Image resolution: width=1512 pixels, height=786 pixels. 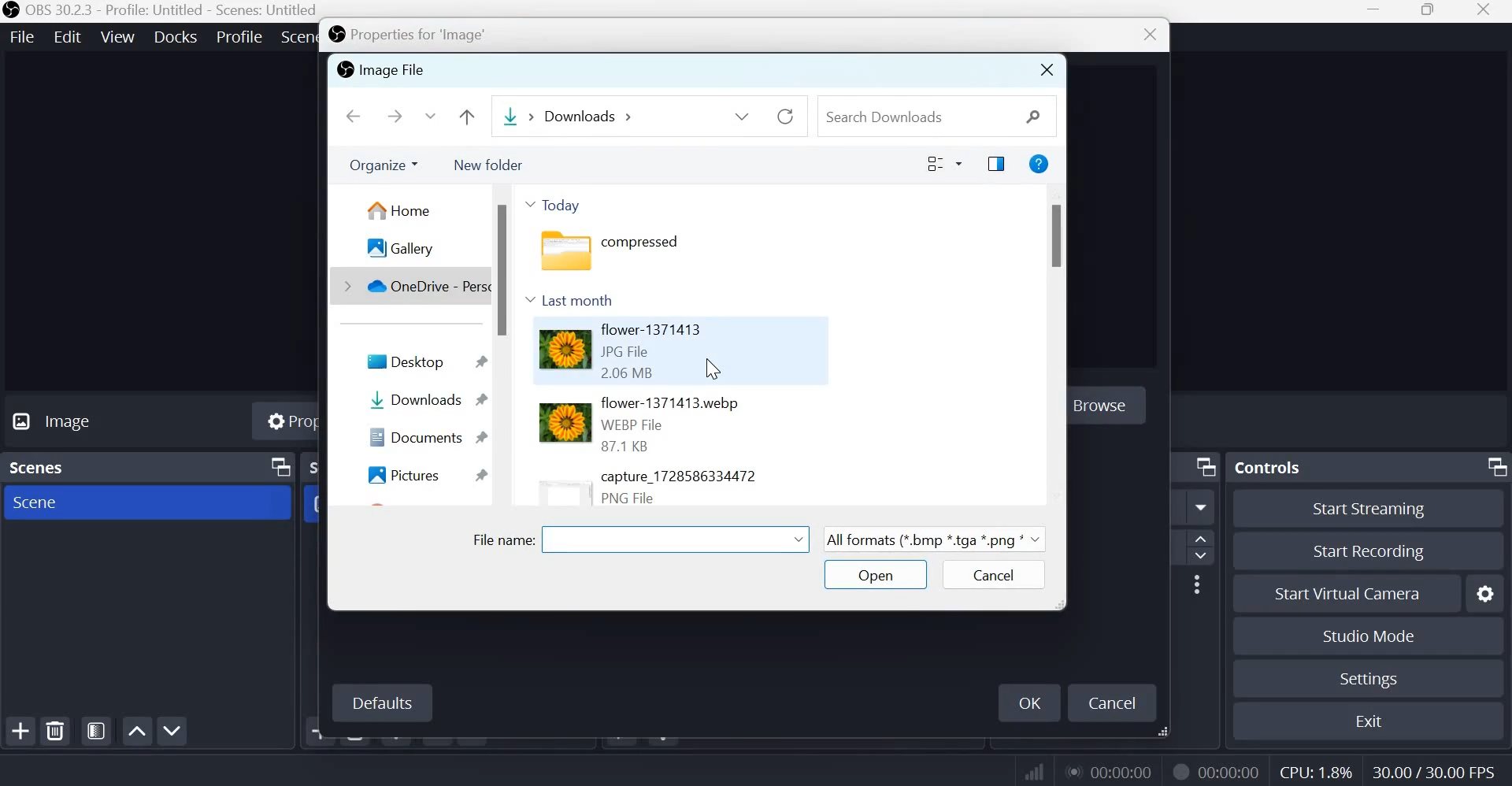 What do you see at coordinates (381, 161) in the screenshot?
I see `organize` at bounding box center [381, 161].